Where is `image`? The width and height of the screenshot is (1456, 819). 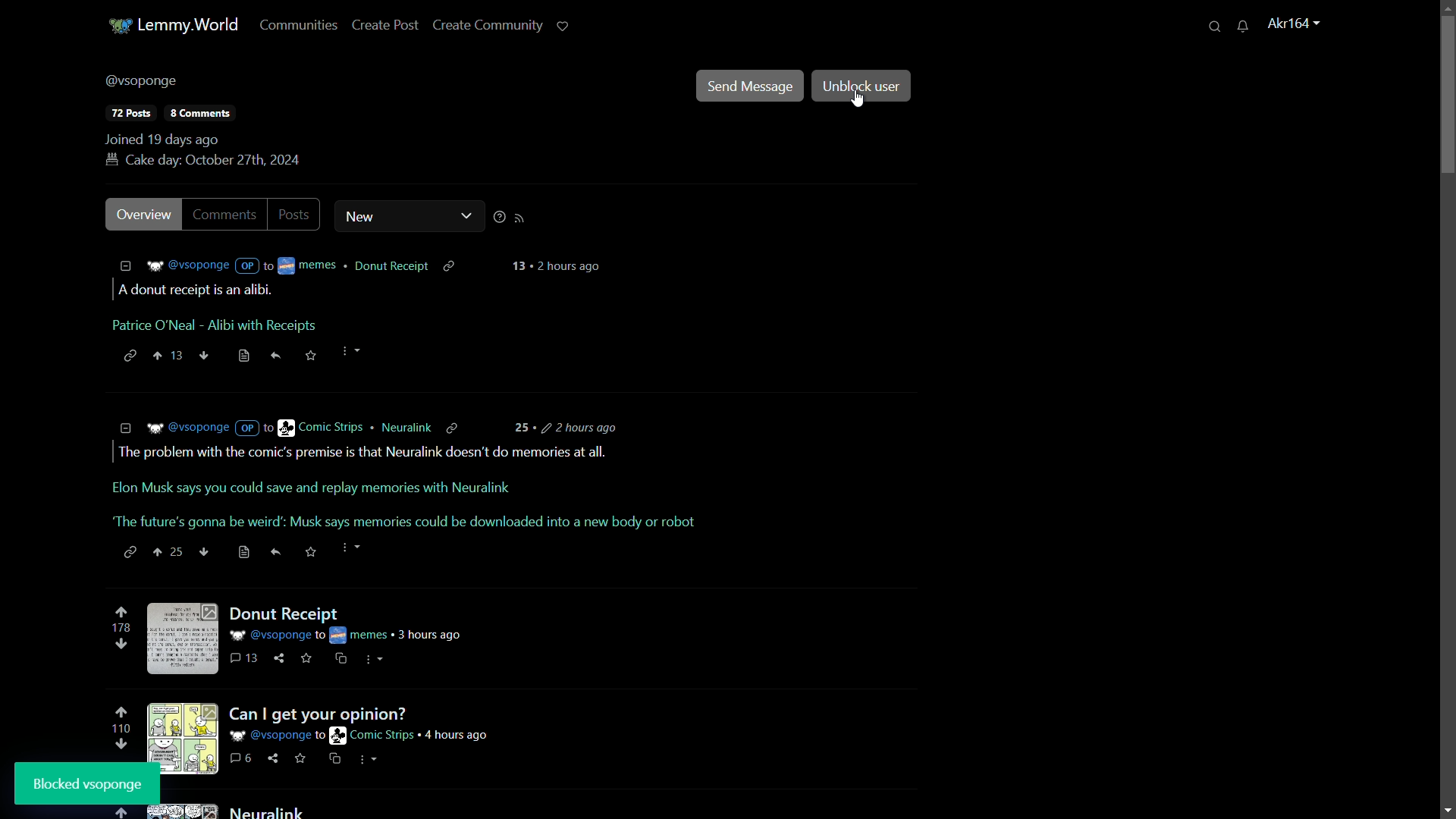
image is located at coordinates (186, 639).